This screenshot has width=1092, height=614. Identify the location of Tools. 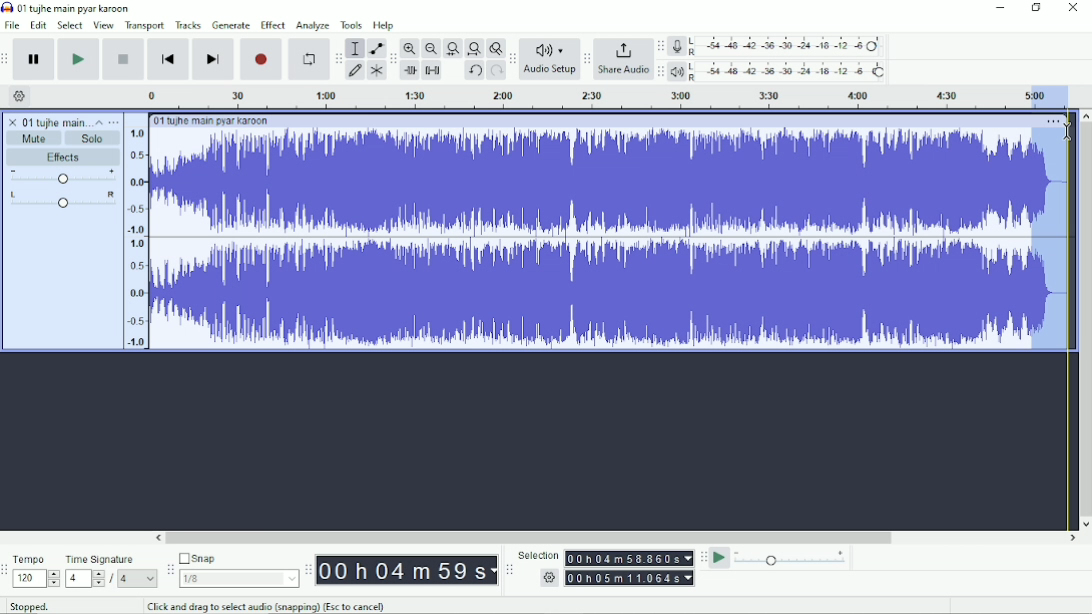
(353, 25).